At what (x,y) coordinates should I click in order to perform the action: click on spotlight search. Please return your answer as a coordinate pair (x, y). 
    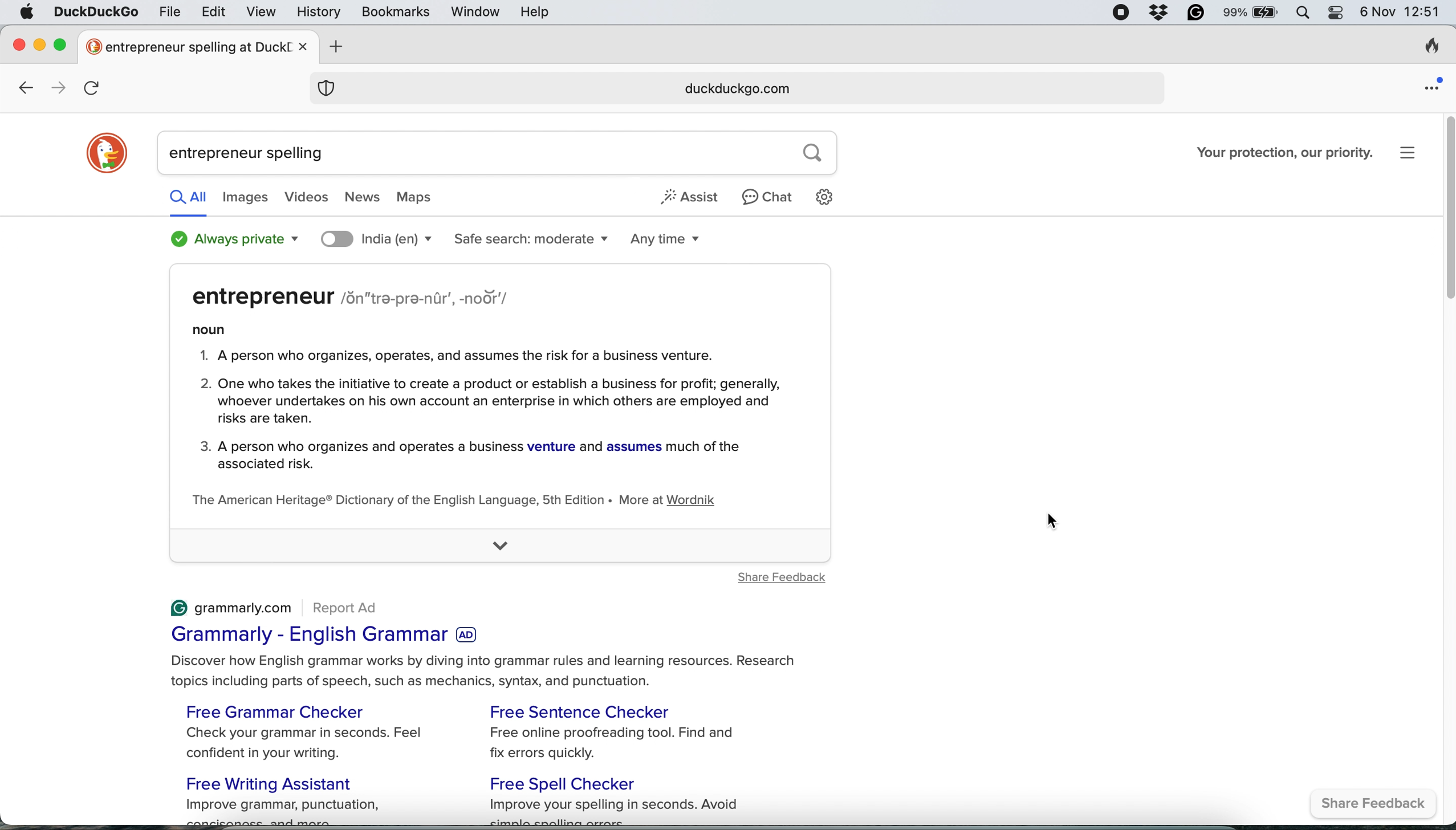
    Looking at the image, I should click on (1301, 15).